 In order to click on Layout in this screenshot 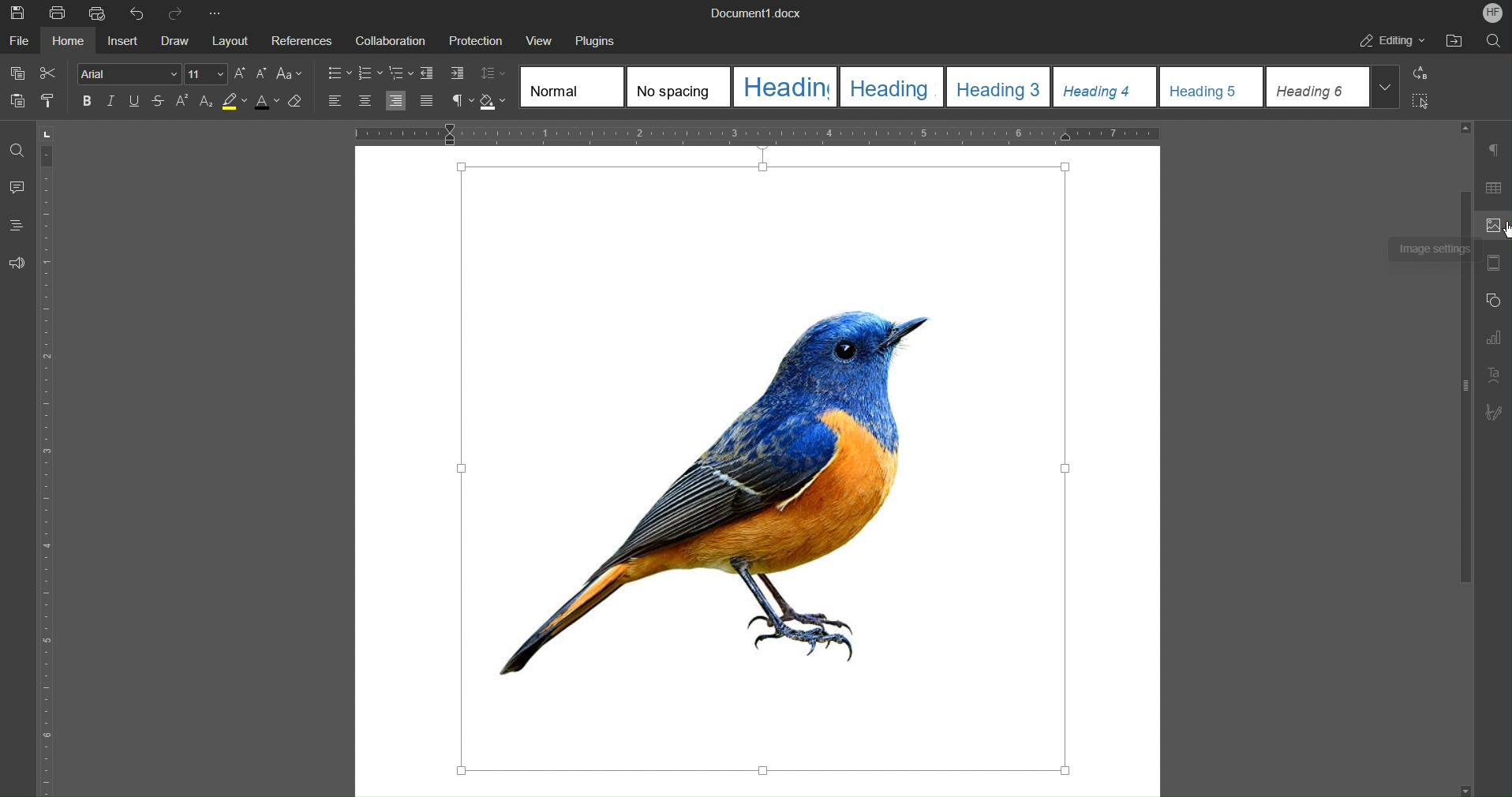, I will do `click(227, 39)`.